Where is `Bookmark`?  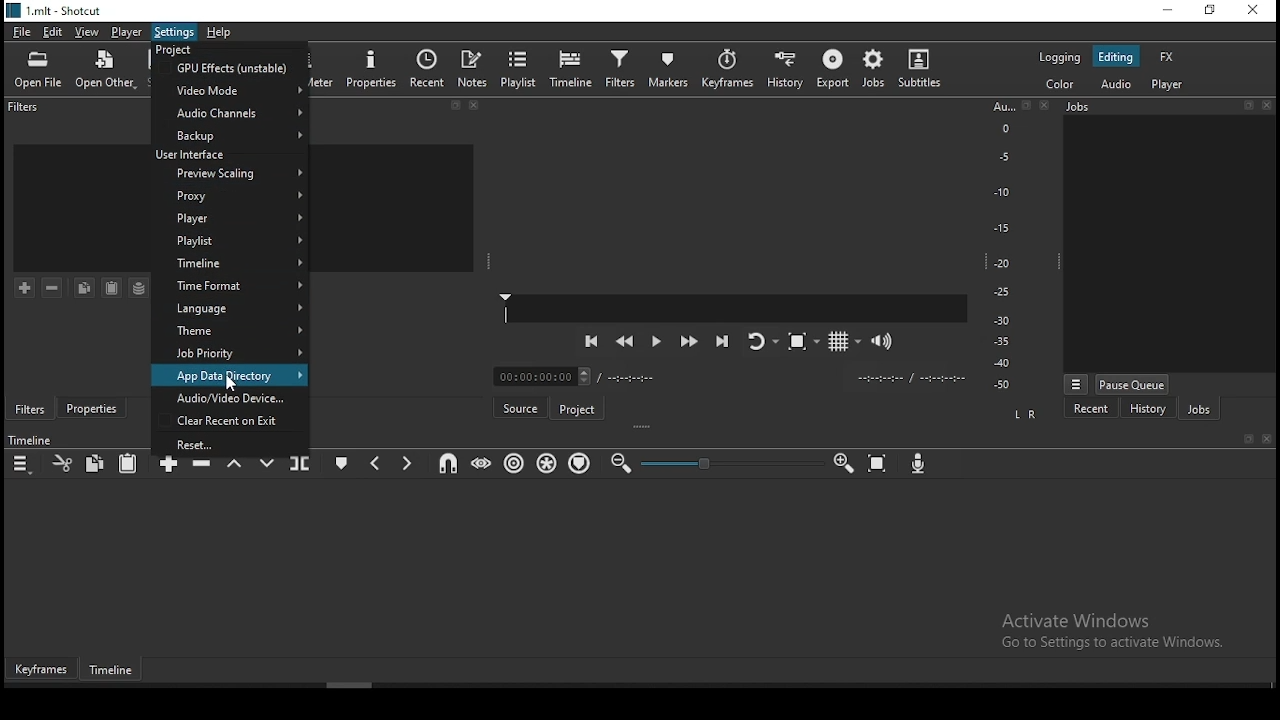 Bookmark is located at coordinates (1027, 106).